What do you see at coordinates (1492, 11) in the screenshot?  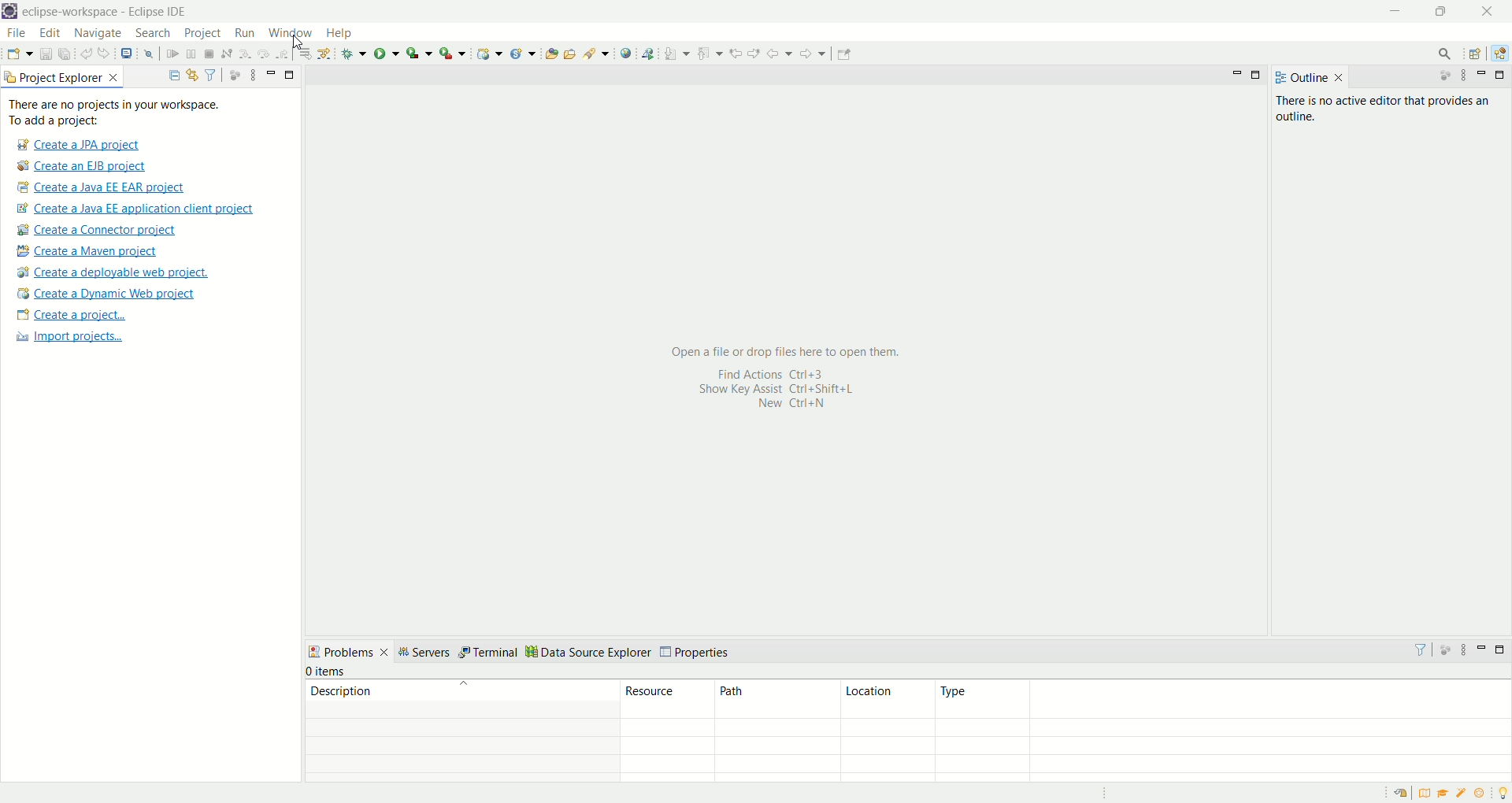 I see `close` at bounding box center [1492, 11].